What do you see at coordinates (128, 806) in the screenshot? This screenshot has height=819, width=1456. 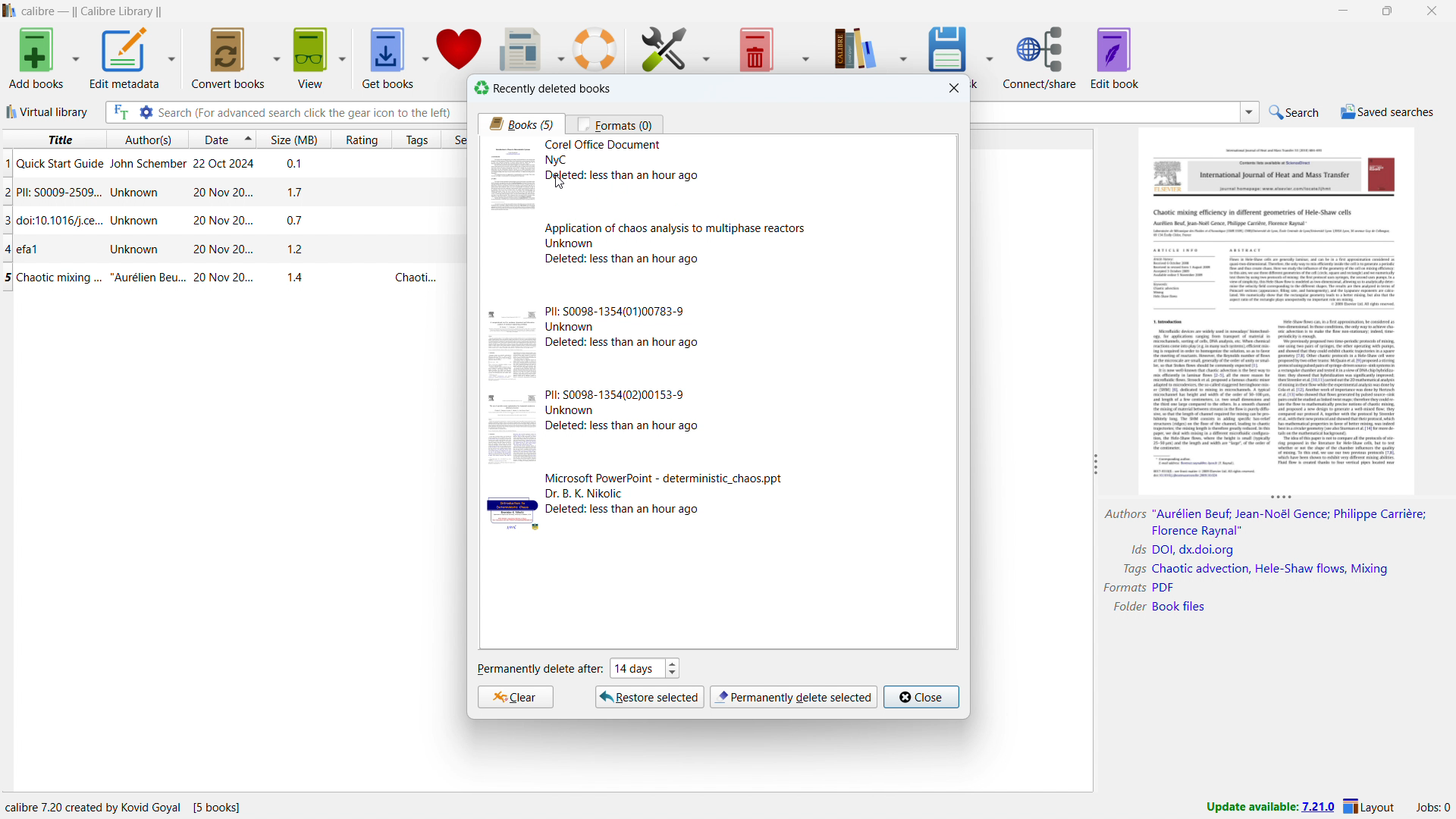 I see `program information` at bounding box center [128, 806].